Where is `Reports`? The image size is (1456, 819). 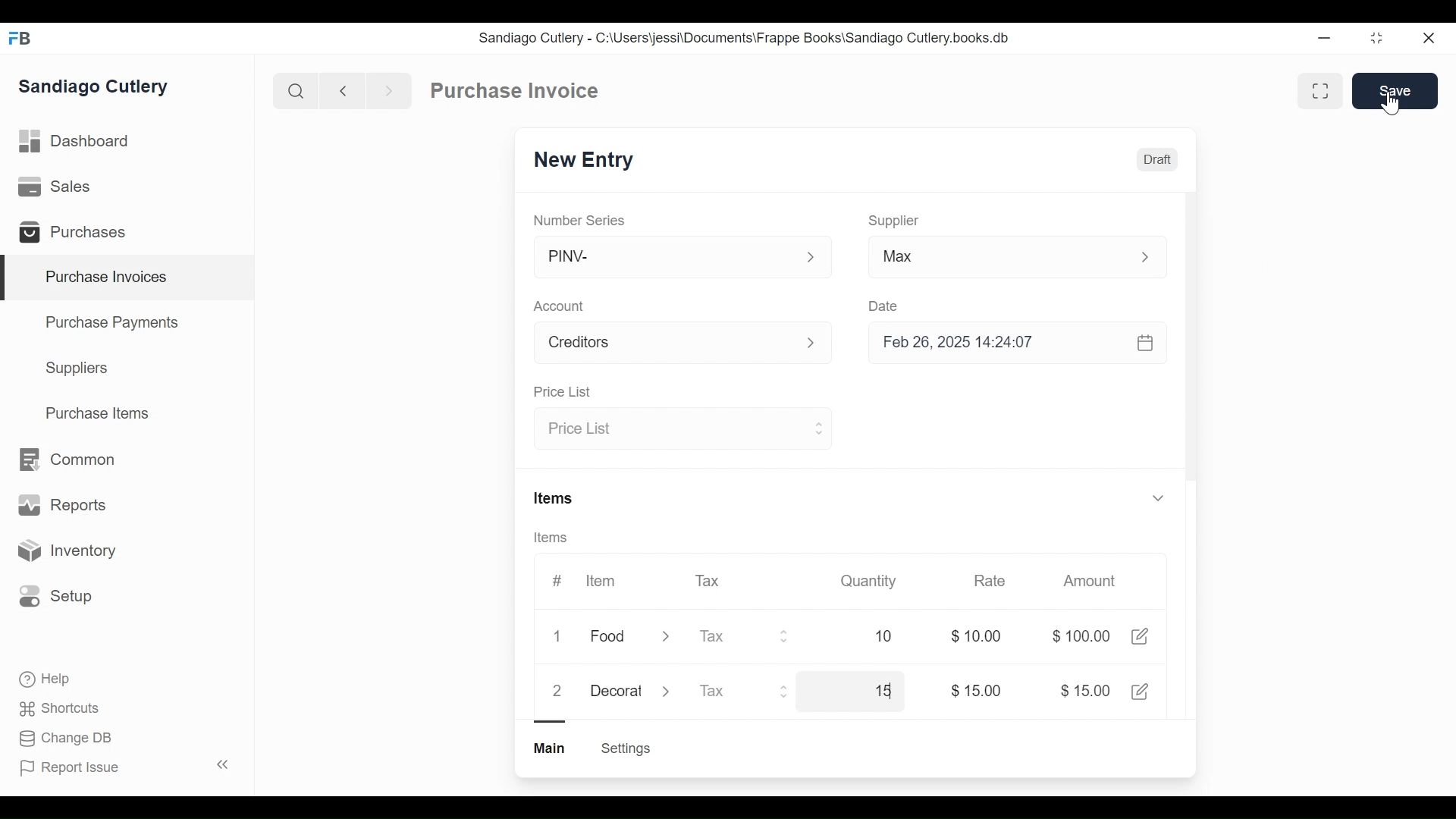 Reports is located at coordinates (62, 508).